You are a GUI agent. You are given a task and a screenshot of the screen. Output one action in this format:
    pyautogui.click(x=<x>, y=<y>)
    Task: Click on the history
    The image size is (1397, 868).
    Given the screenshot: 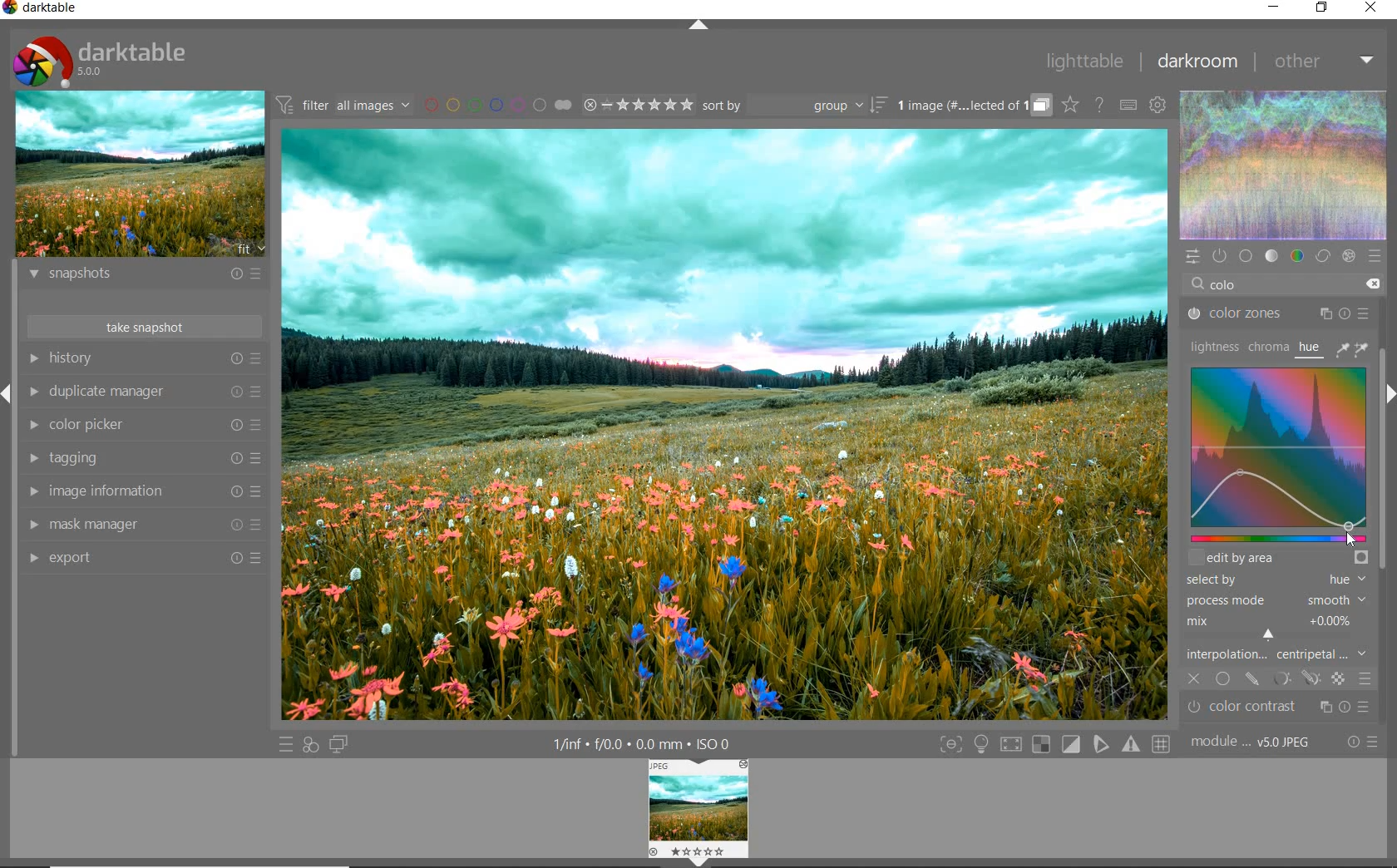 What is the action you would take?
    pyautogui.click(x=143, y=358)
    